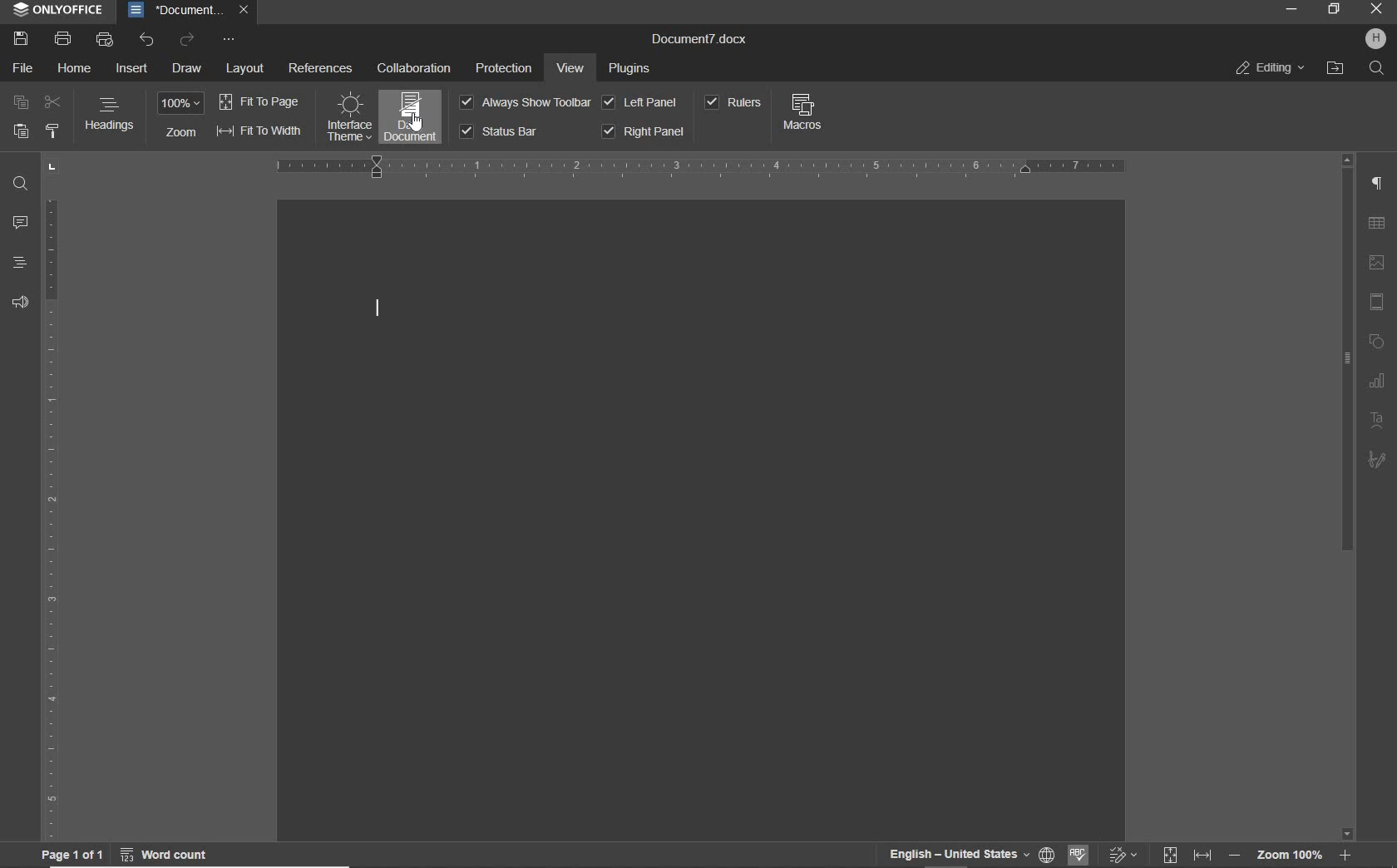 The width and height of the screenshot is (1397, 868). Describe the element at coordinates (1377, 262) in the screenshot. I see `IMAGE` at that location.